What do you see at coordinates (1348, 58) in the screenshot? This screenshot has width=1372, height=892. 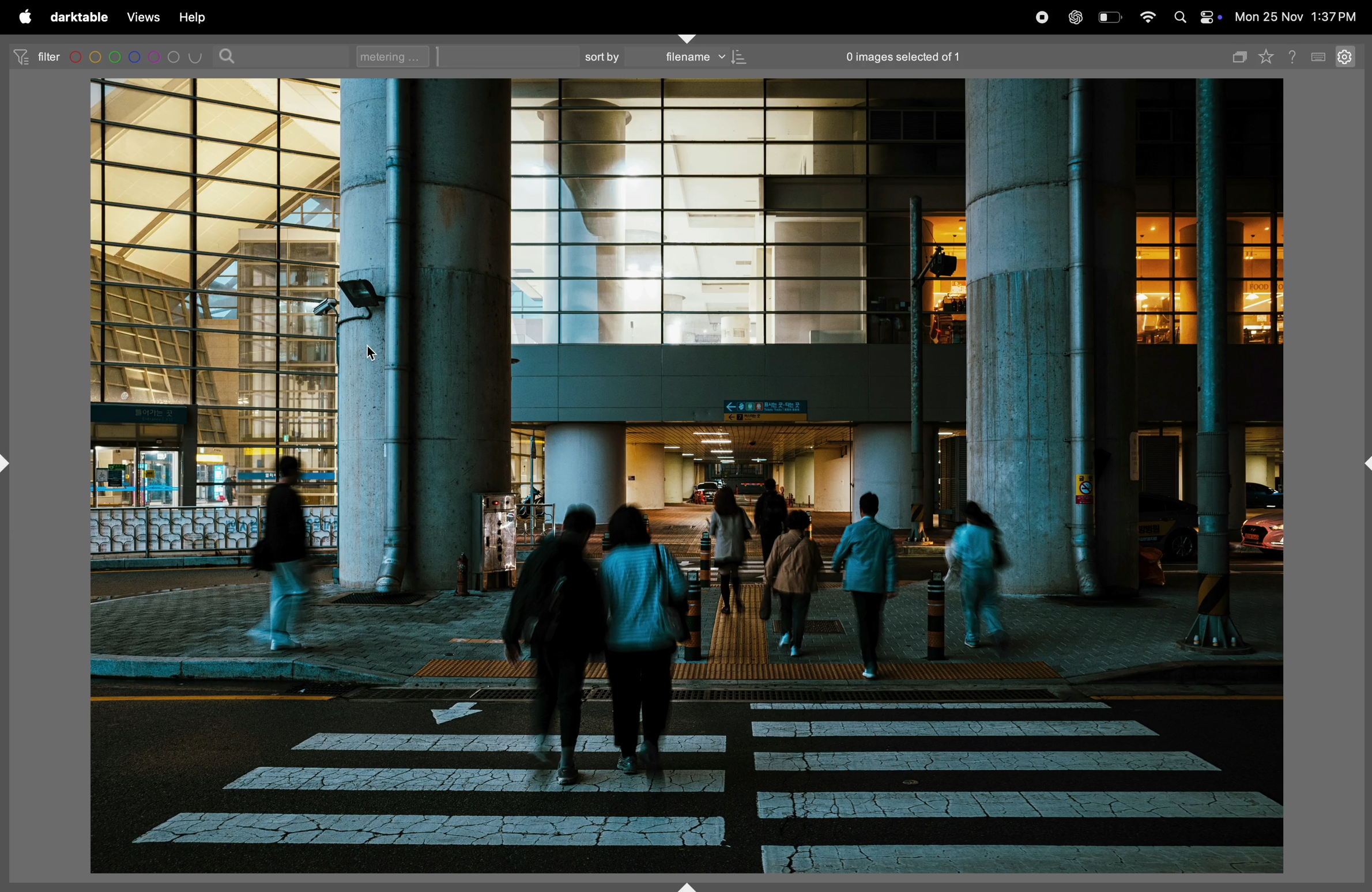 I see `setting` at bounding box center [1348, 58].